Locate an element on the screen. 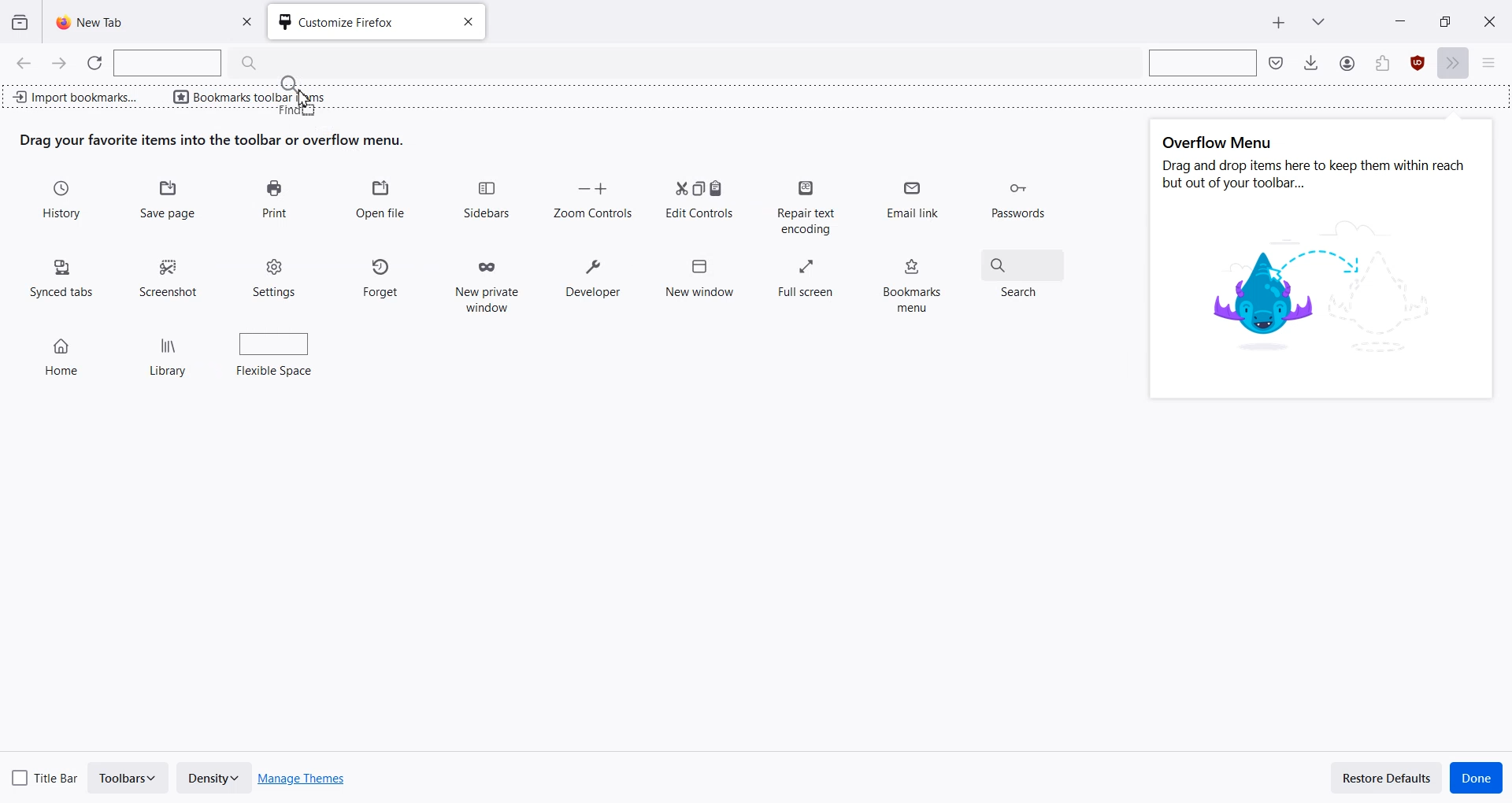 The image size is (1512, 803). Repair text encoding is located at coordinates (805, 205).